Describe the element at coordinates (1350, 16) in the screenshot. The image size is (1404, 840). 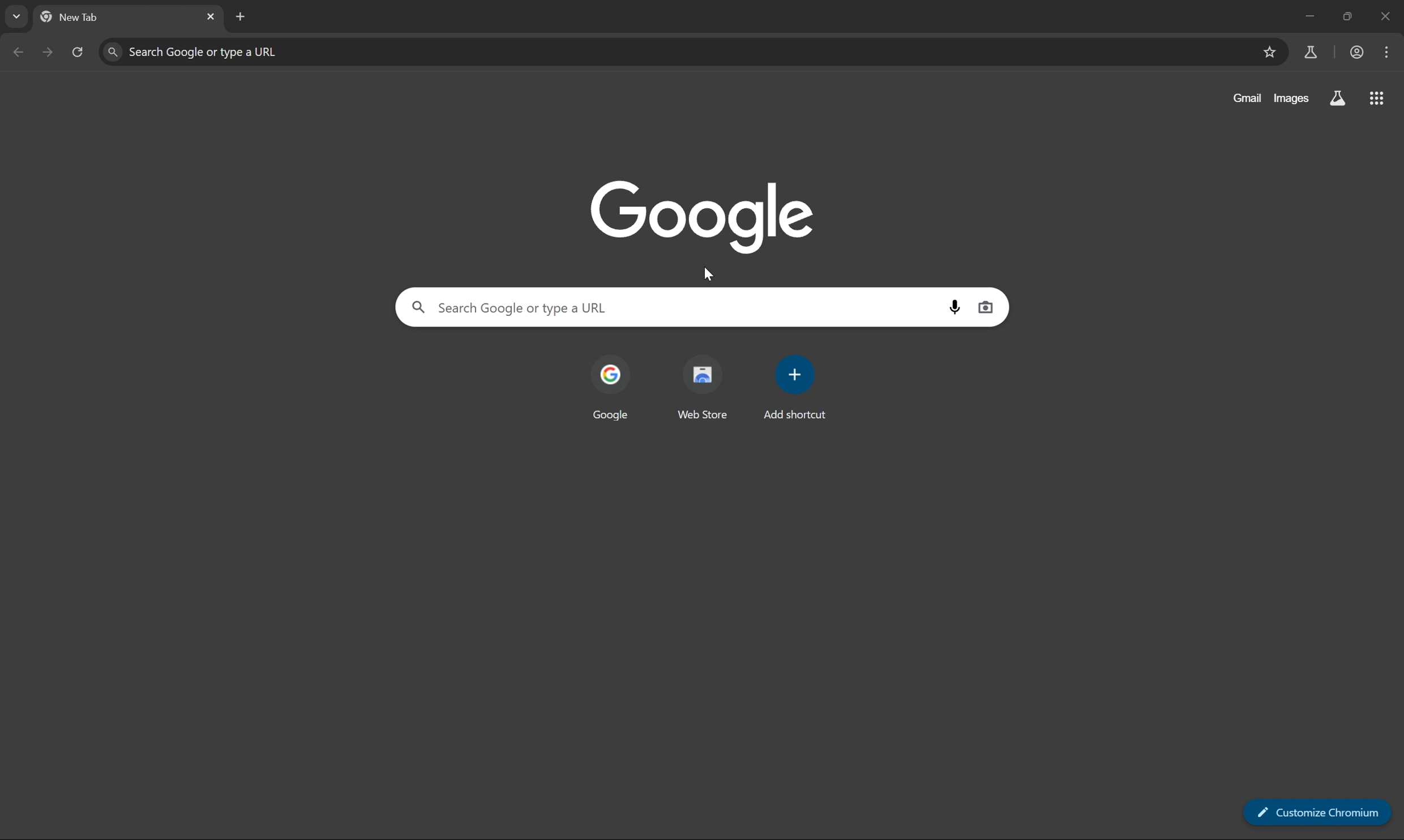
I see `restore down` at that location.